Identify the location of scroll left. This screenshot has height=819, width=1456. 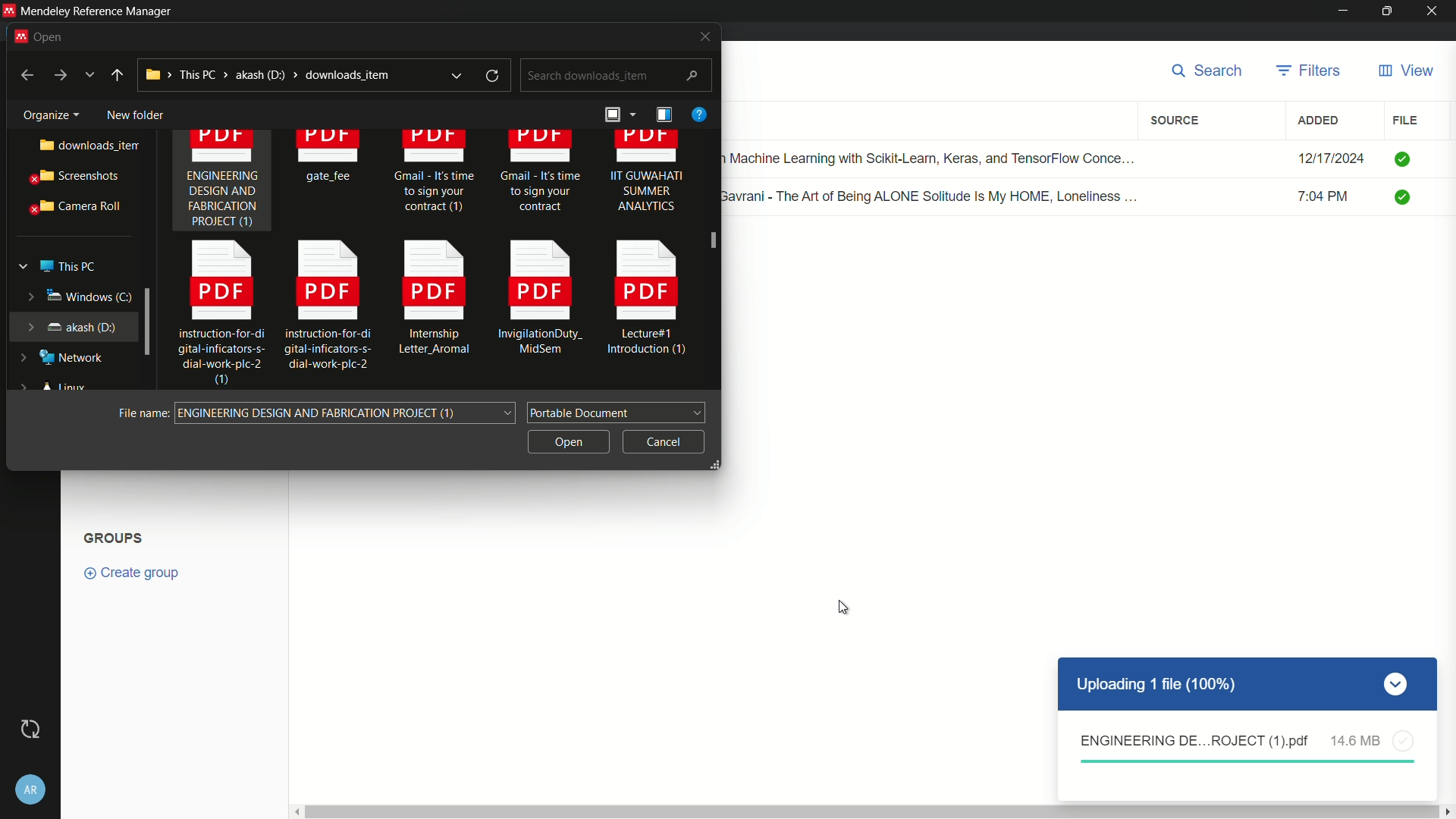
(294, 811).